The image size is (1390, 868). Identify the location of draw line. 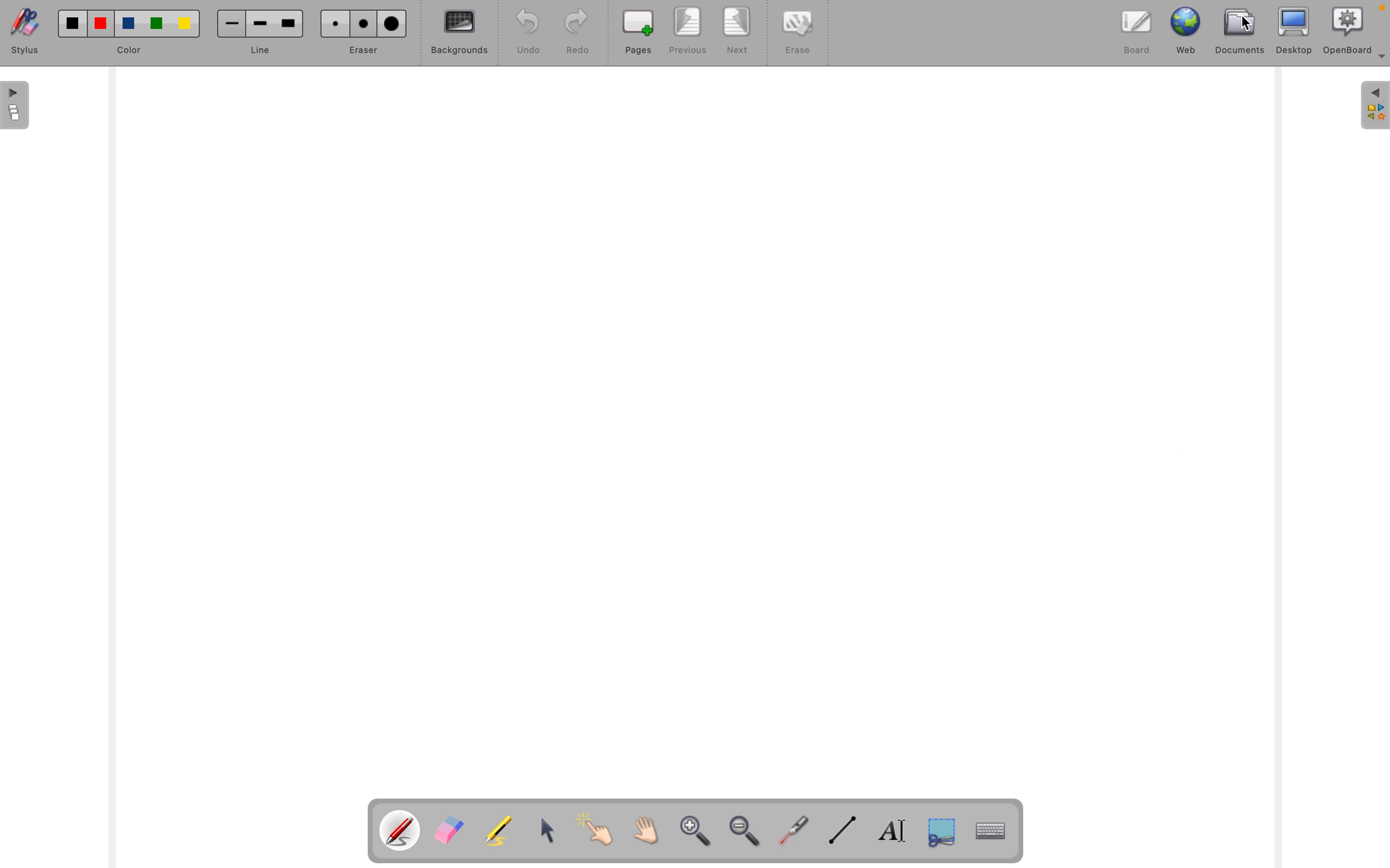
(847, 831).